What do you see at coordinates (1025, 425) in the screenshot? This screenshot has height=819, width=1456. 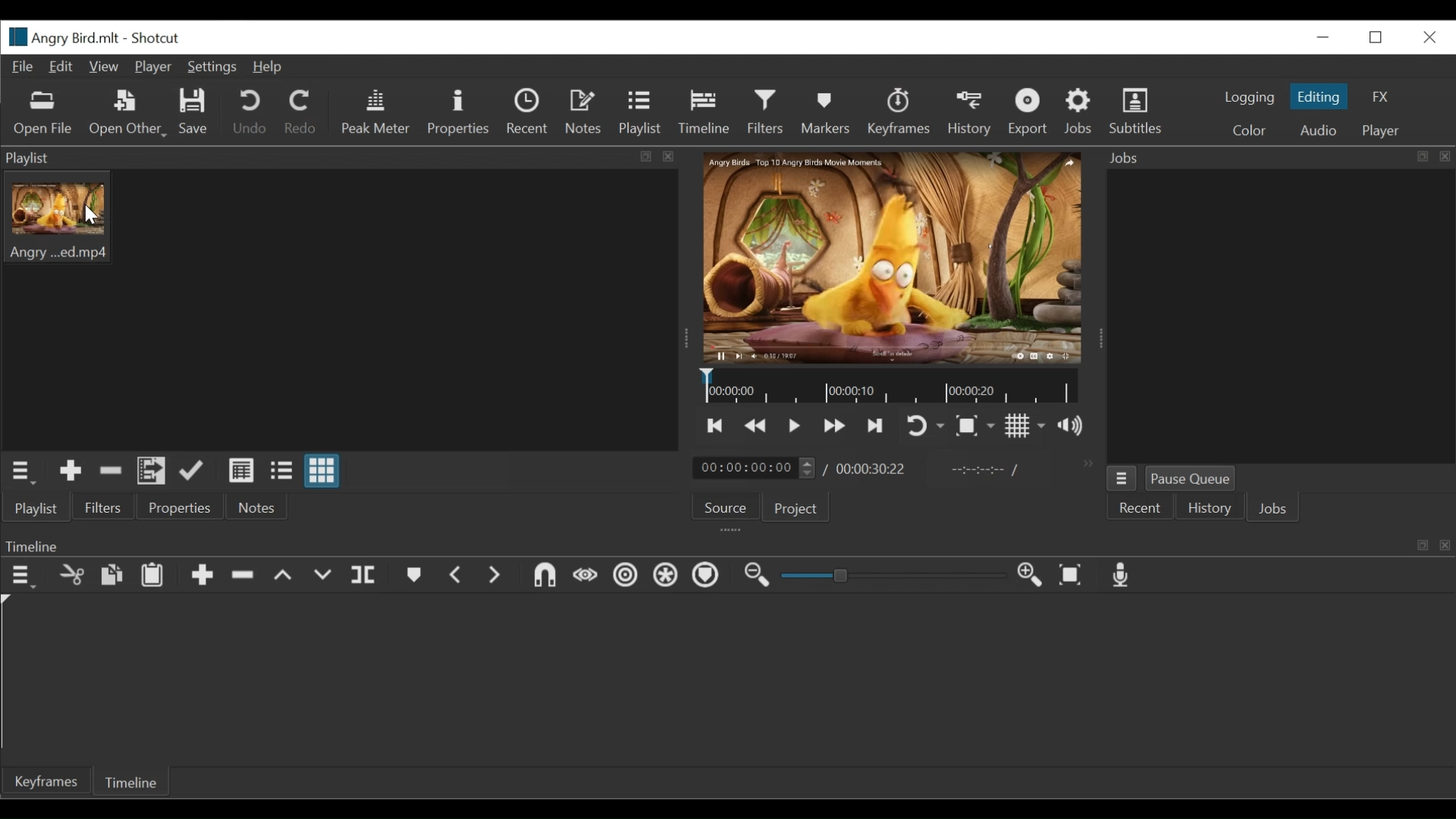 I see `Toggle display grid on the player` at bounding box center [1025, 425].